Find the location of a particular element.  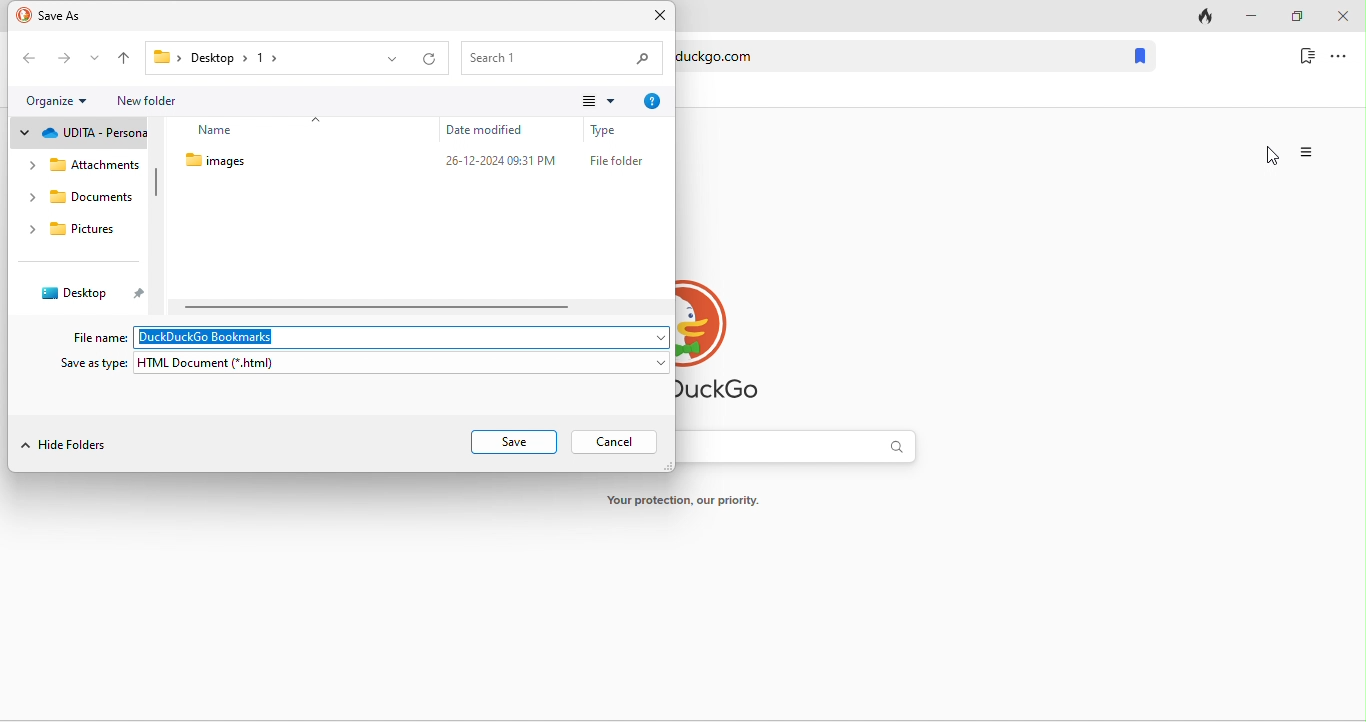

back is located at coordinates (29, 59).